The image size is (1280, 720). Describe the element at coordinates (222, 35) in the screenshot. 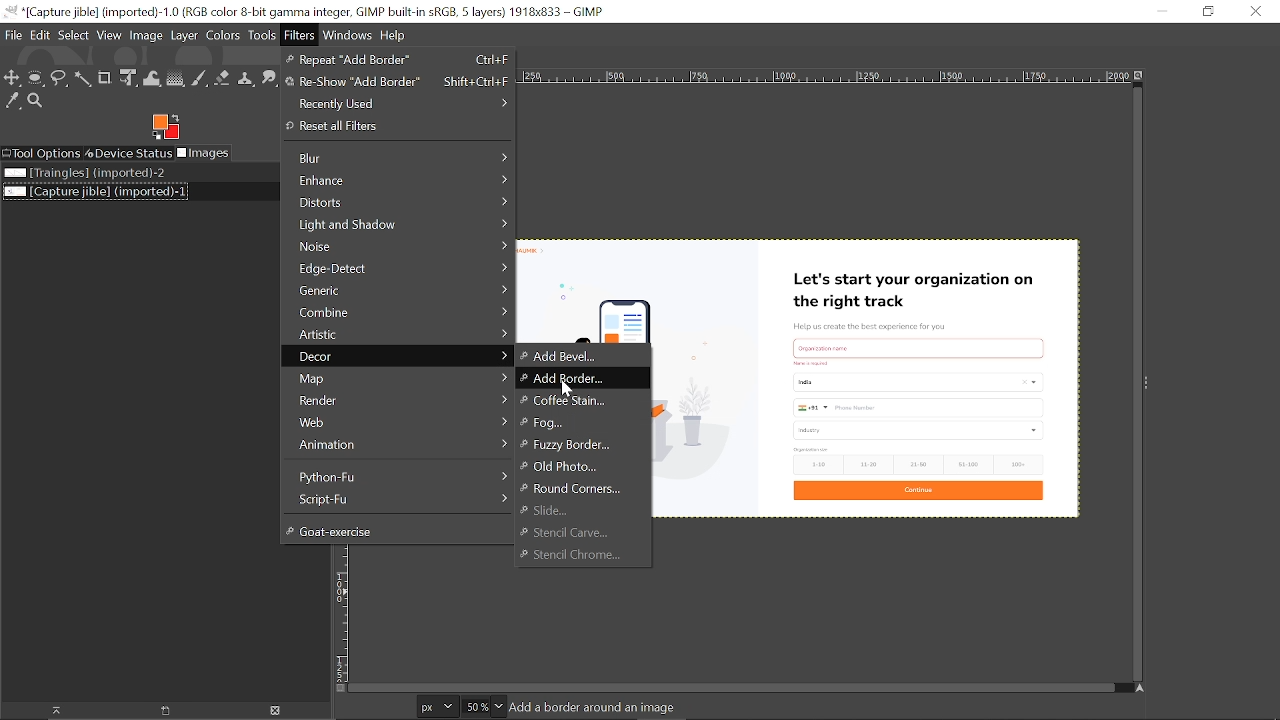

I see `Colors` at that location.